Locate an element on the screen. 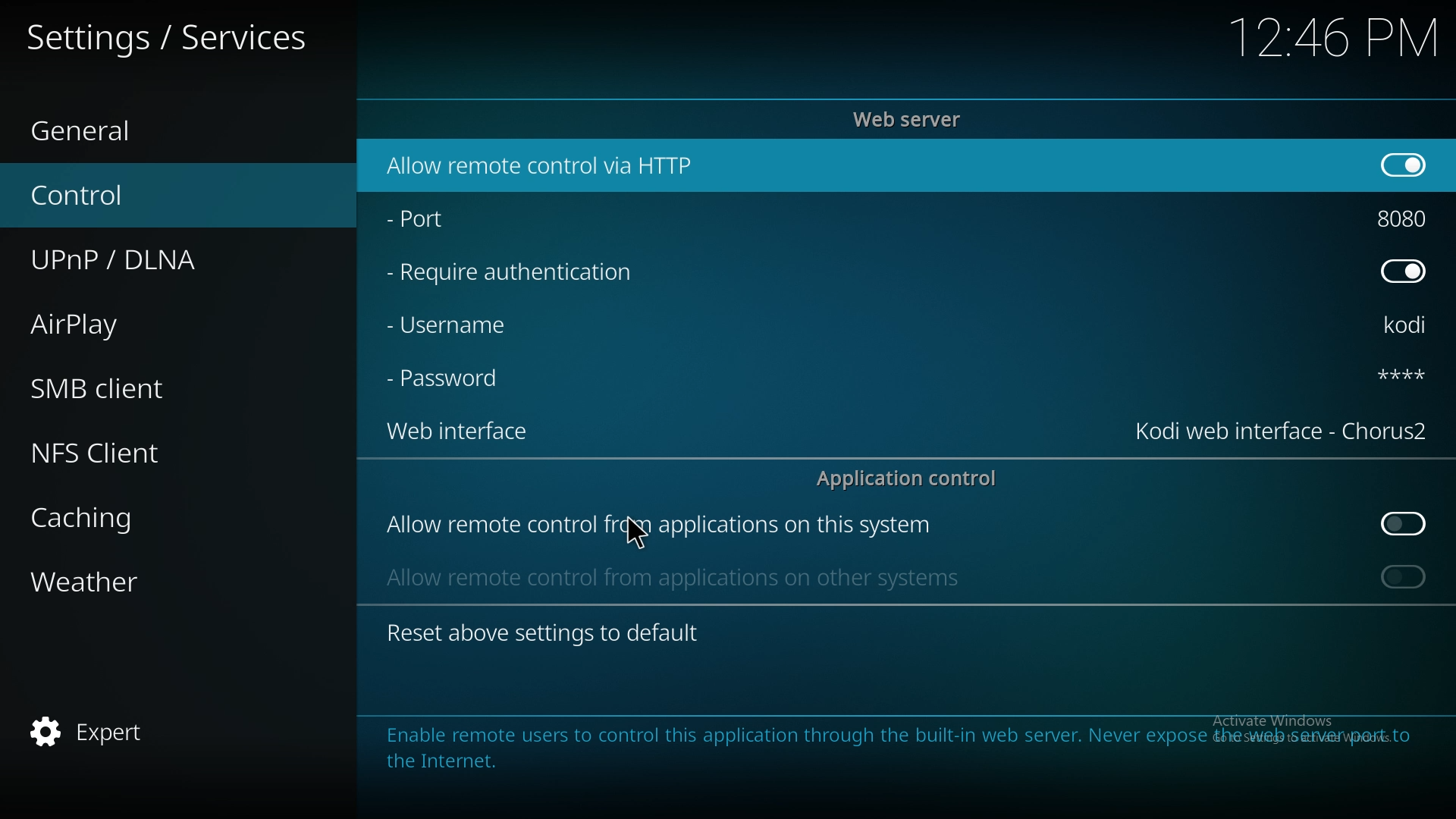  expert is located at coordinates (127, 733).